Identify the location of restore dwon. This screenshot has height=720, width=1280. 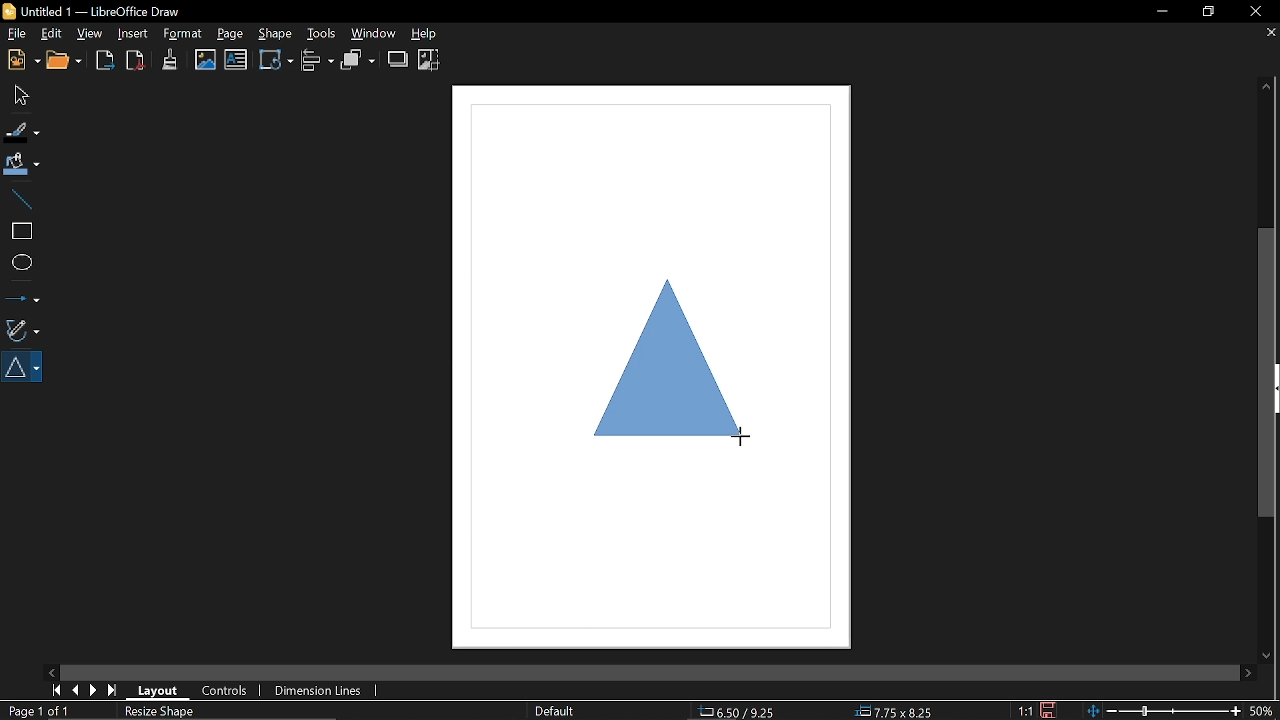
(1209, 13).